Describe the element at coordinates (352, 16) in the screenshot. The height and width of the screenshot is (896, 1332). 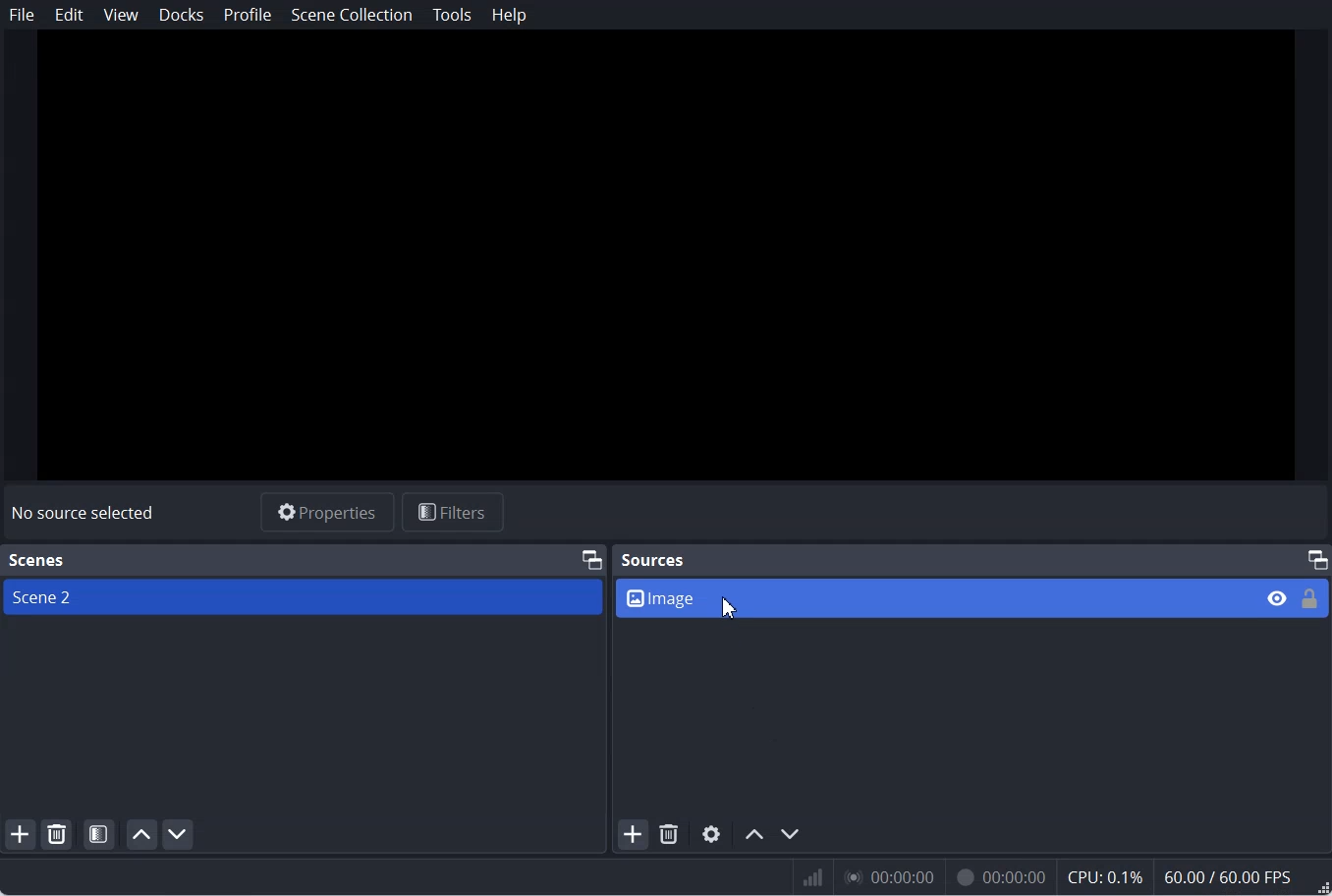
I see `Scene Collection` at that location.